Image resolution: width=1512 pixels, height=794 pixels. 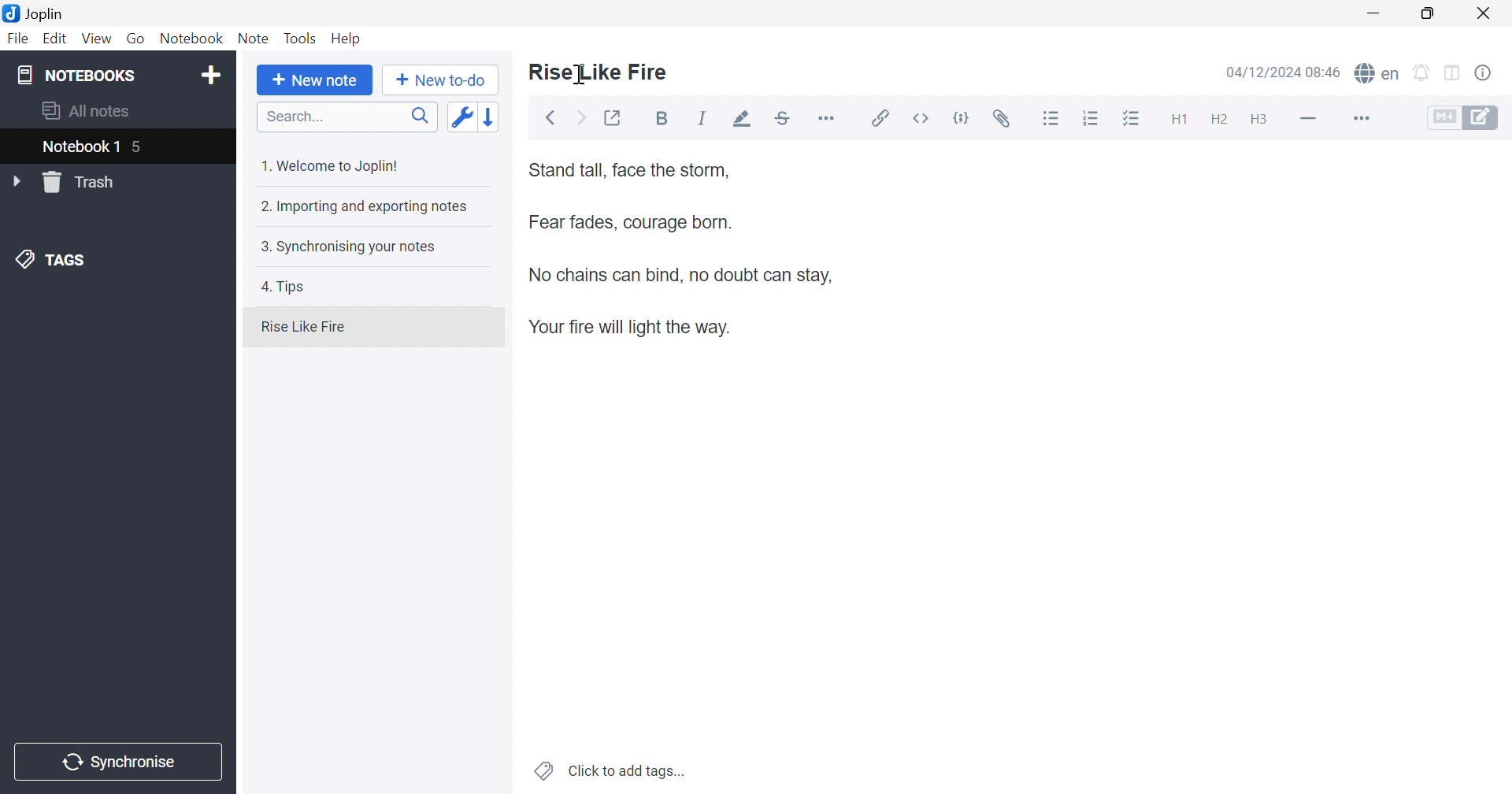 I want to click on Spell checker, so click(x=1380, y=72).